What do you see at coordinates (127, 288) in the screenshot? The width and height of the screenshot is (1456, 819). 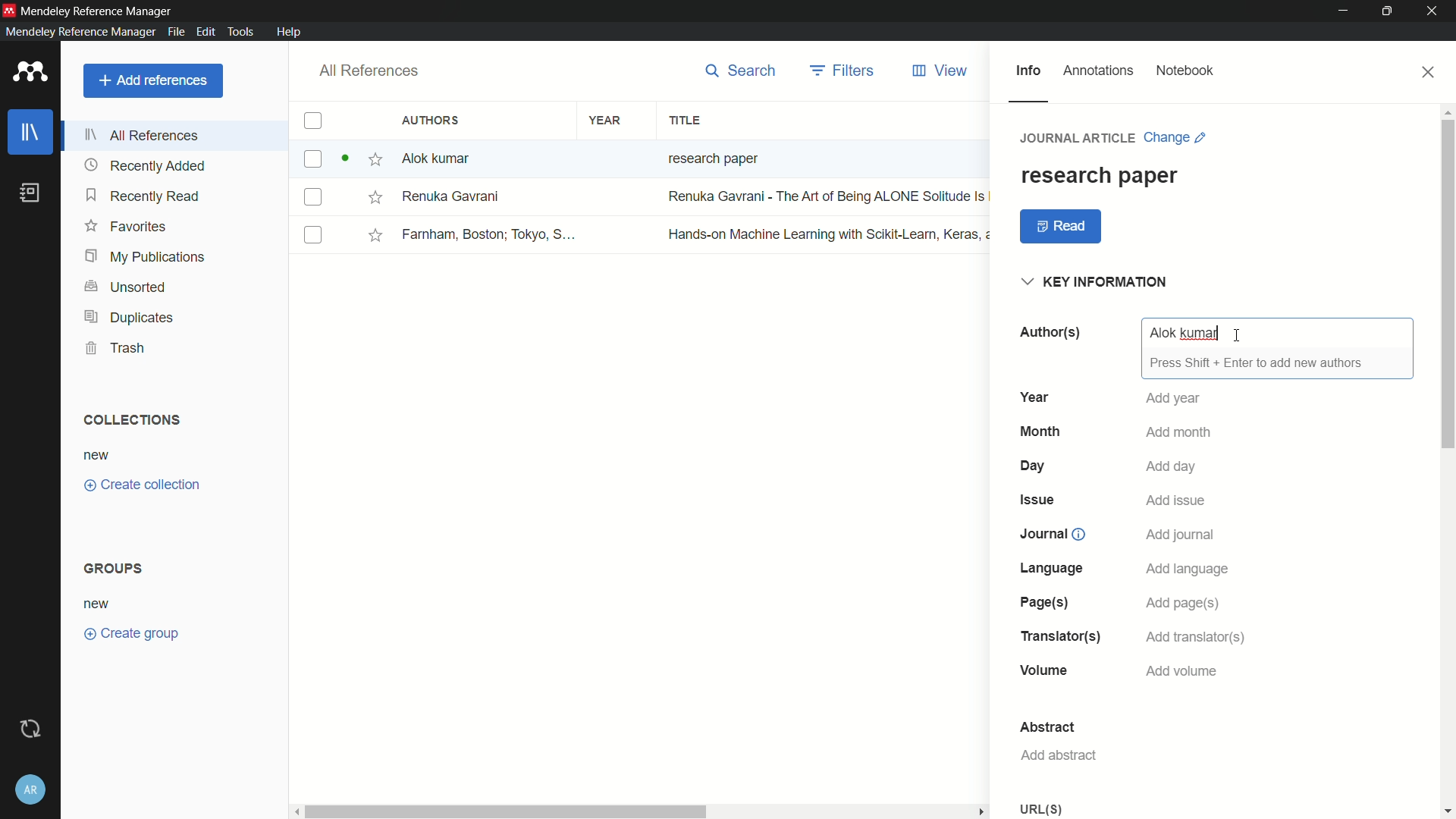 I see `unsorted` at bounding box center [127, 288].